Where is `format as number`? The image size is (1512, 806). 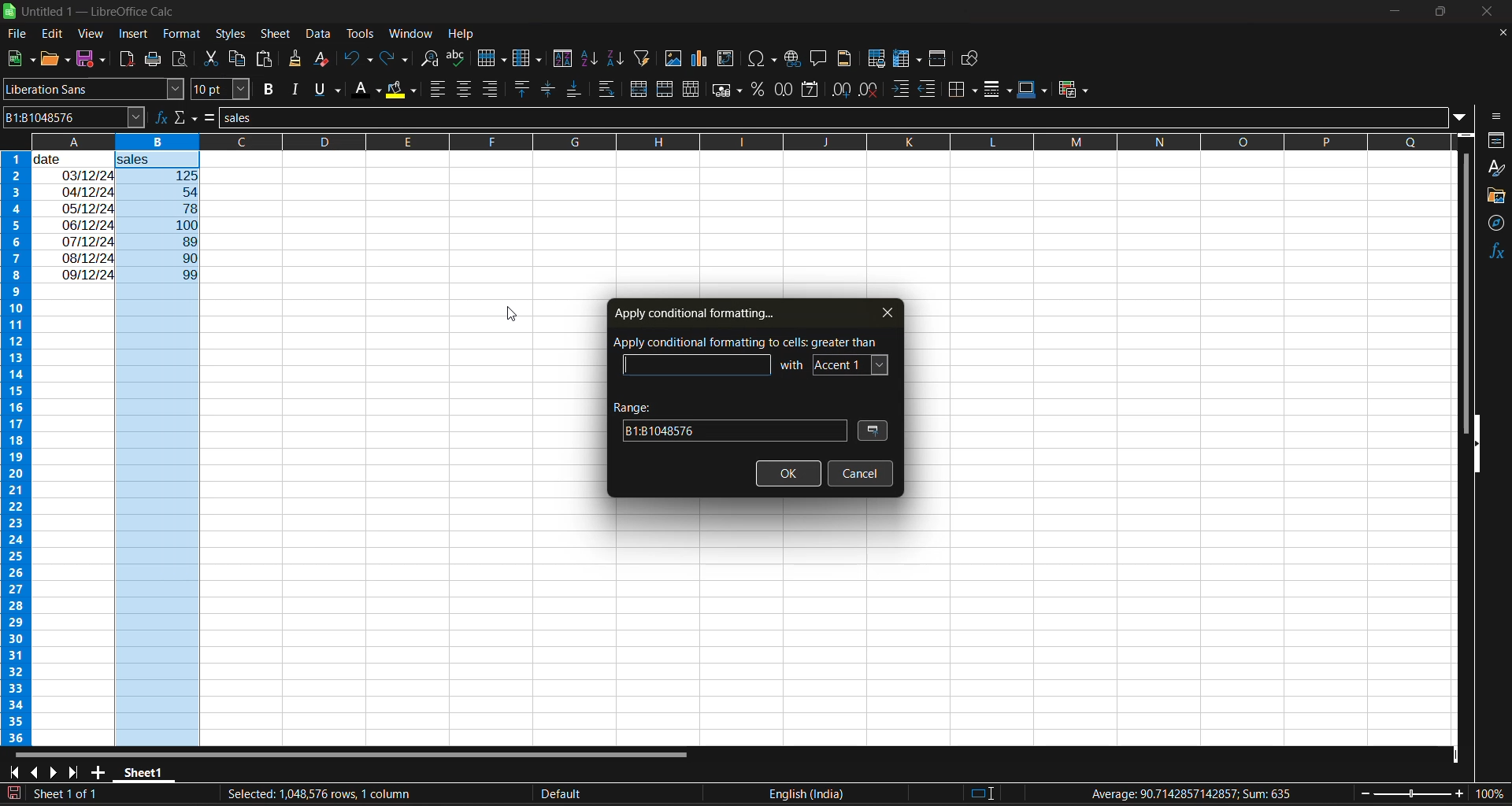
format as number is located at coordinates (784, 91).